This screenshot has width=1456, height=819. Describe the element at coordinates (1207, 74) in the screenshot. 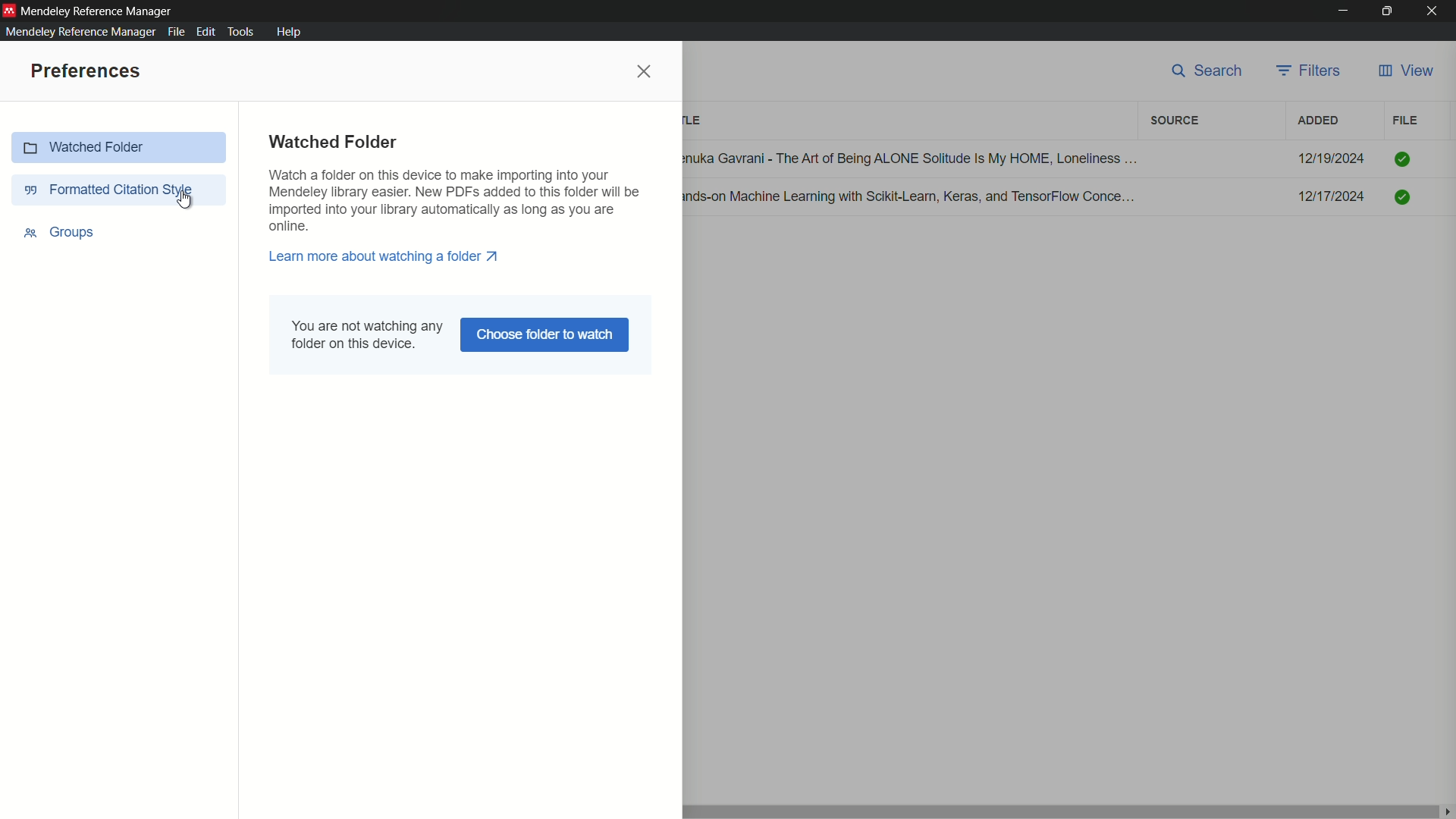

I see `search` at that location.